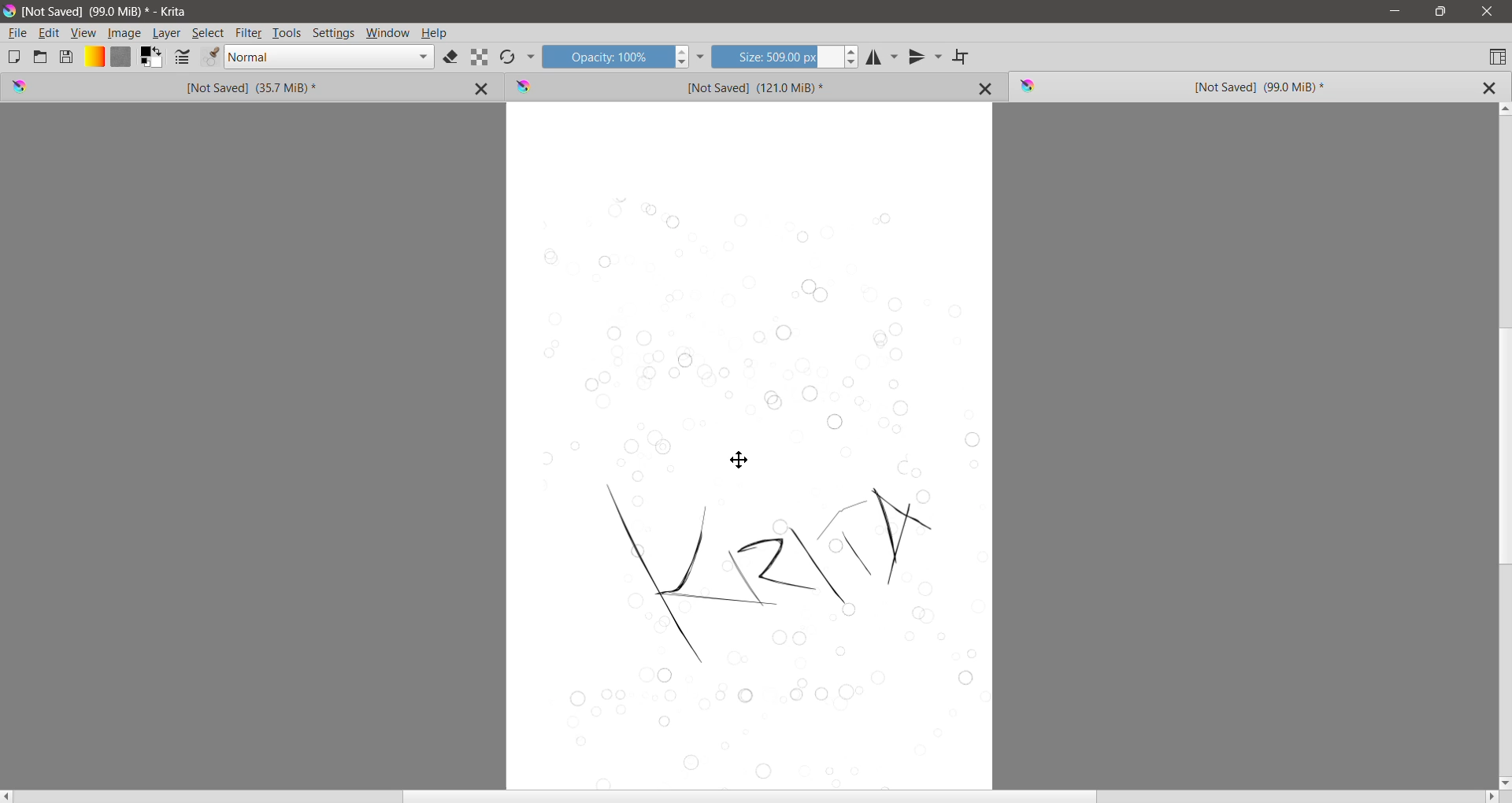 This screenshot has width=1512, height=803. Describe the element at coordinates (484, 87) in the screenshot. I see `Close Tab` at that location.